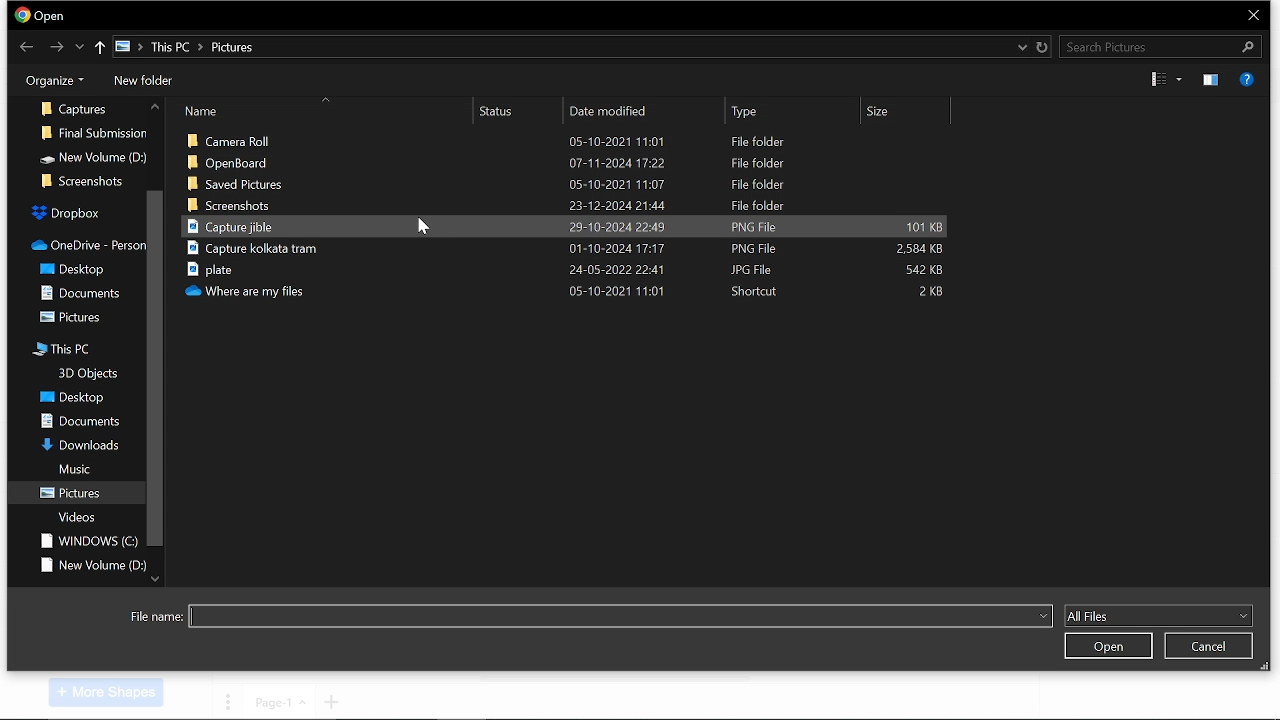 This screenshot has height=720, width=1280. I want to click on preview pane, so click(1209, 80).